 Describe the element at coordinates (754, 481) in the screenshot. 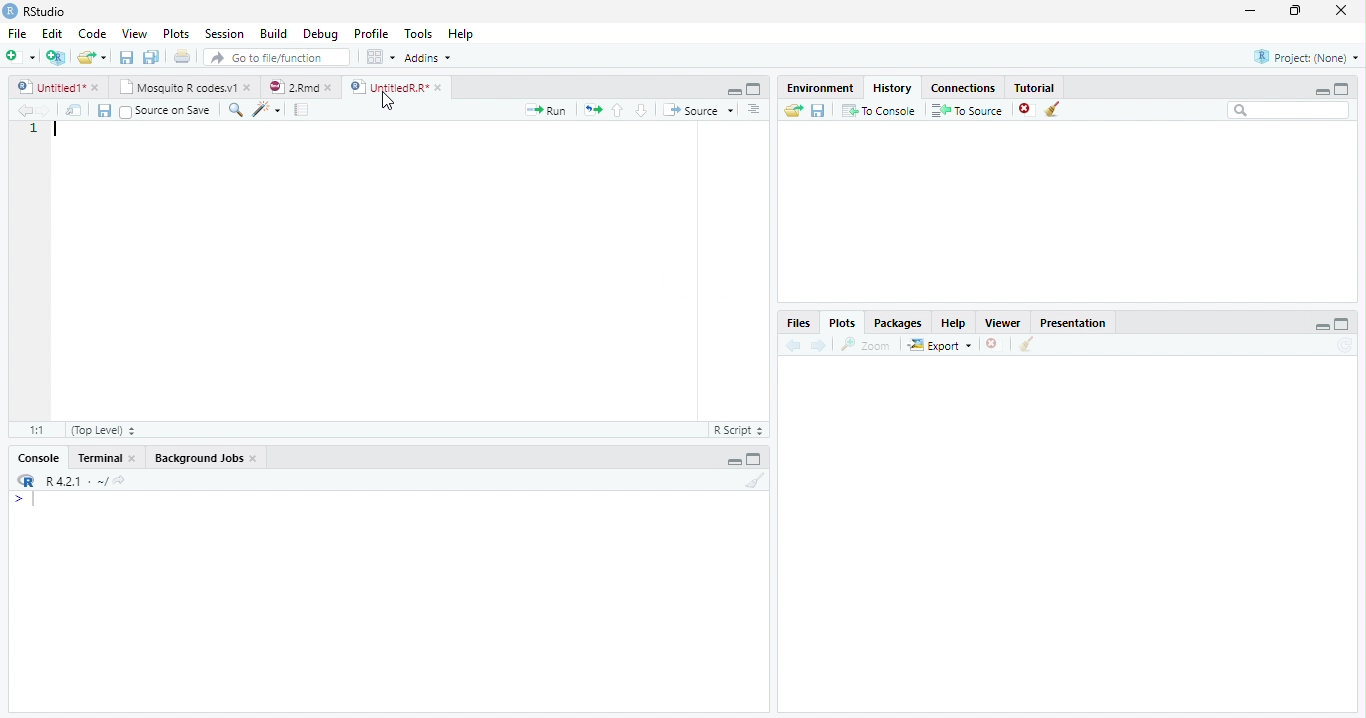

I see `Clear console` at that location.